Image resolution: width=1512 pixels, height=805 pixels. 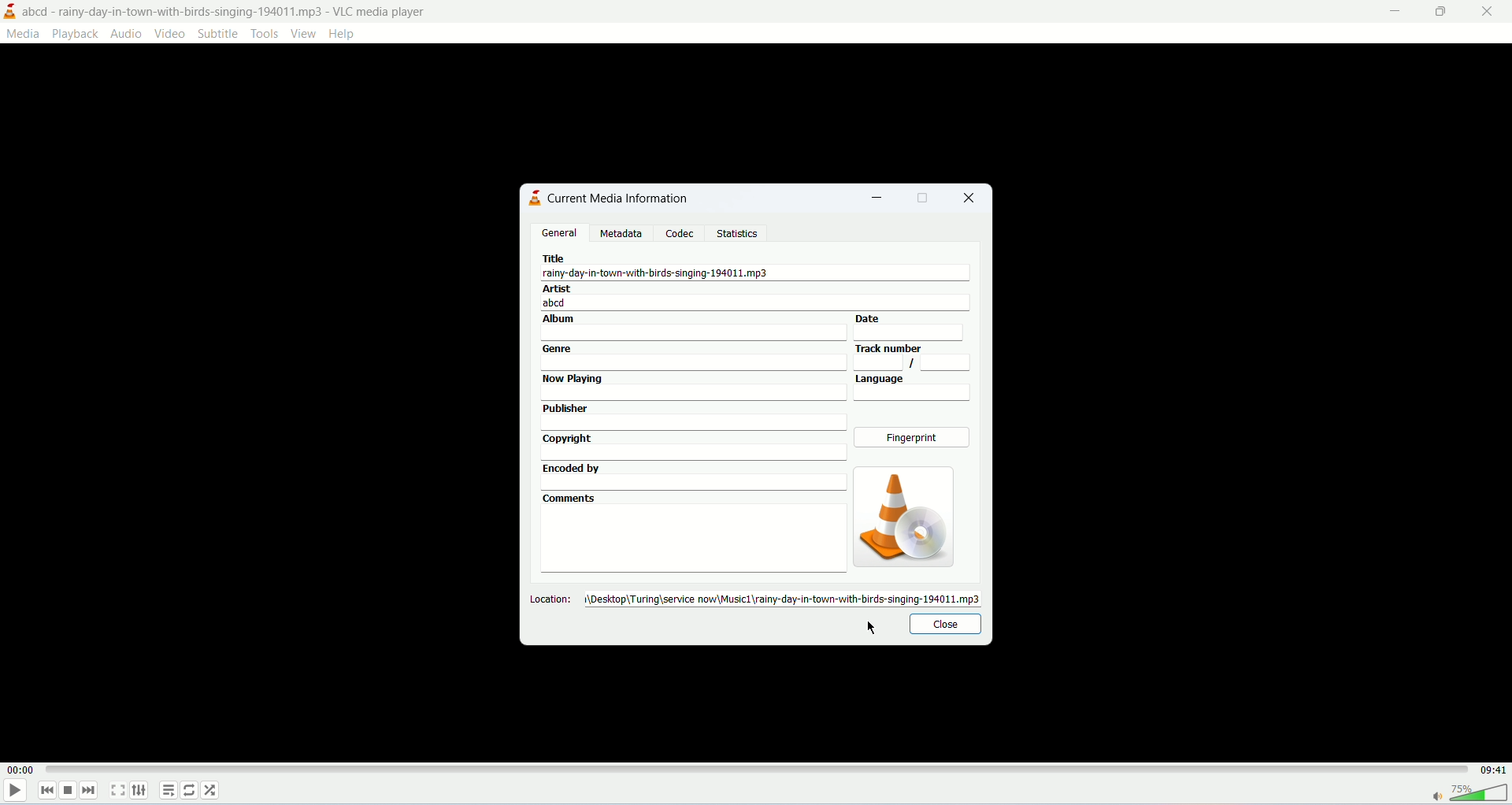 I want to click on encoded by, so click(x=692, y=475).